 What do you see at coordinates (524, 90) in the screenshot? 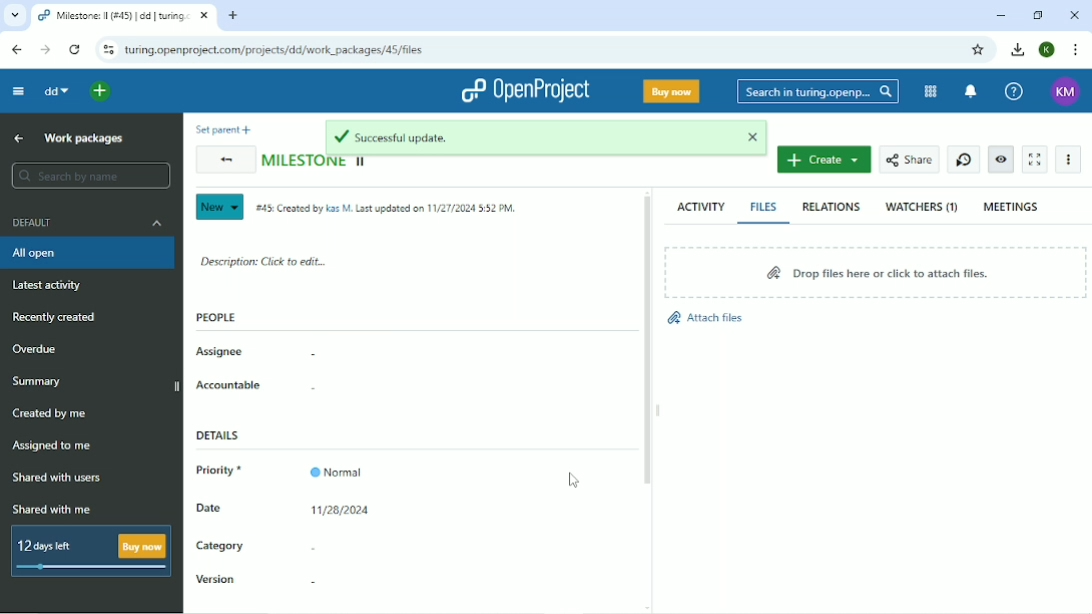
I see `OpenProject` at bounding box center [524, 90].